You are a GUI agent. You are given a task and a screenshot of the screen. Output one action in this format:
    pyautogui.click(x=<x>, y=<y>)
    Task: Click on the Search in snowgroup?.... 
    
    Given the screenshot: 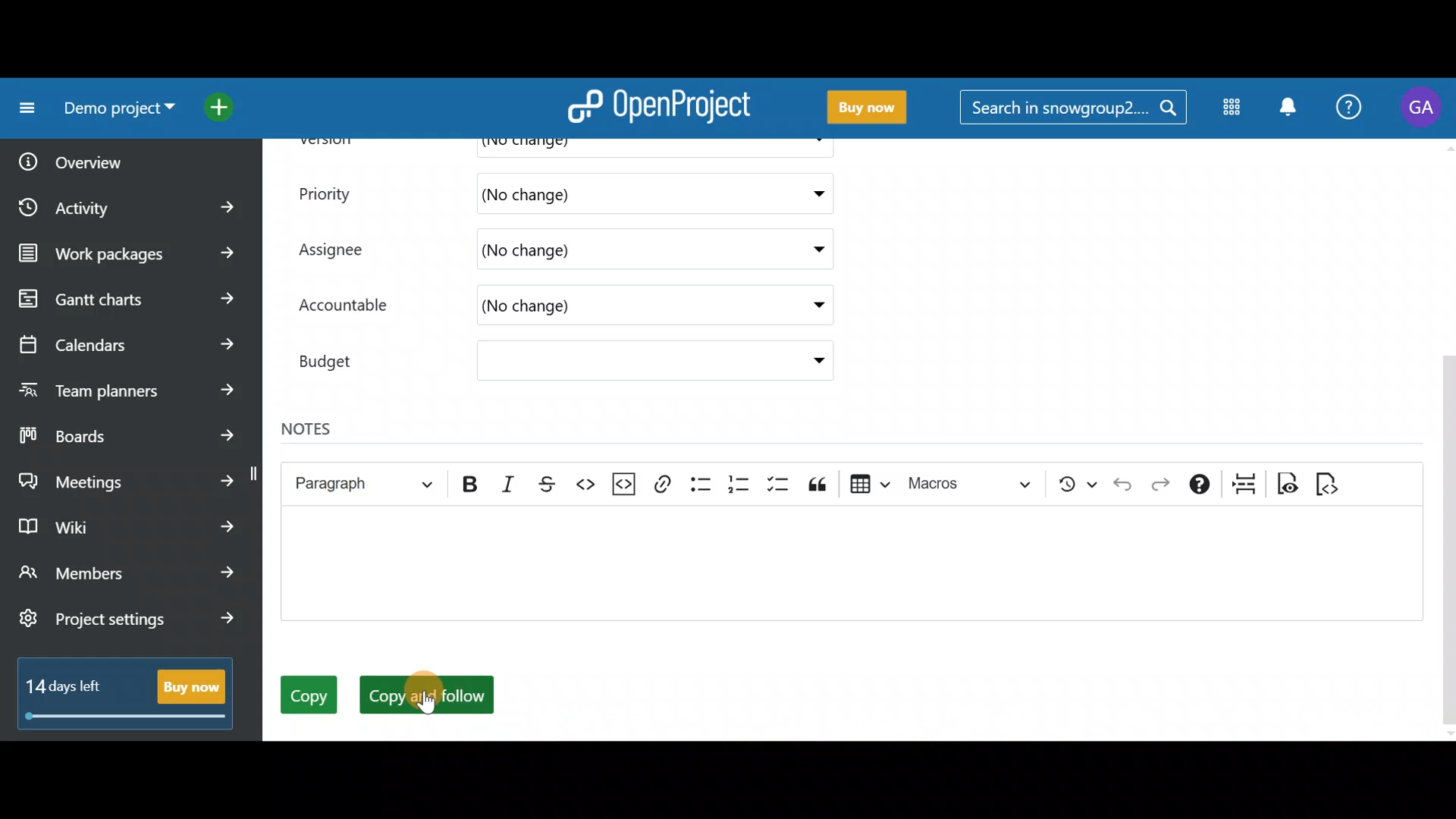 What is the action you would take?
    pyautogui.click(x=1077, y=108)
    